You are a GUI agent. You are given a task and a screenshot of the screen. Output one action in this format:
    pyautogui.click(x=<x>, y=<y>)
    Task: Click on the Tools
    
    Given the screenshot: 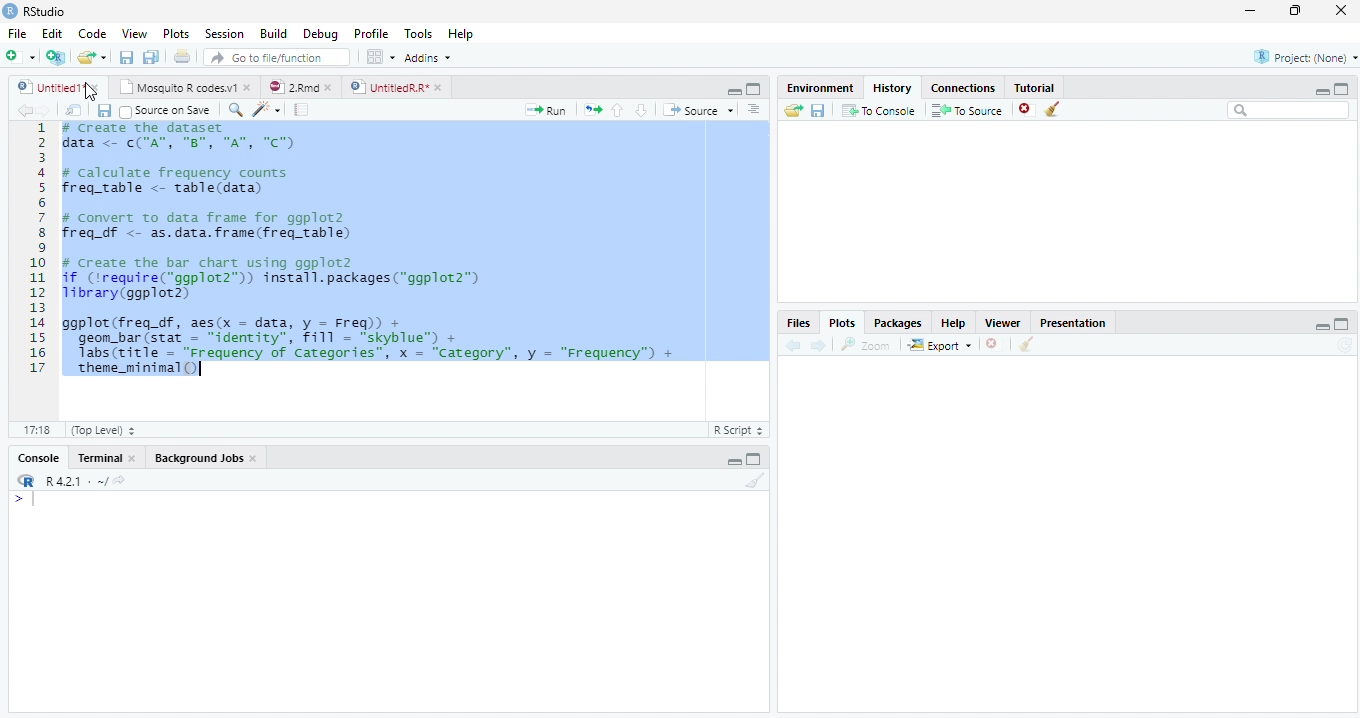 What is the action you would take?
    pyautogui.click(x=421, y=34)
    